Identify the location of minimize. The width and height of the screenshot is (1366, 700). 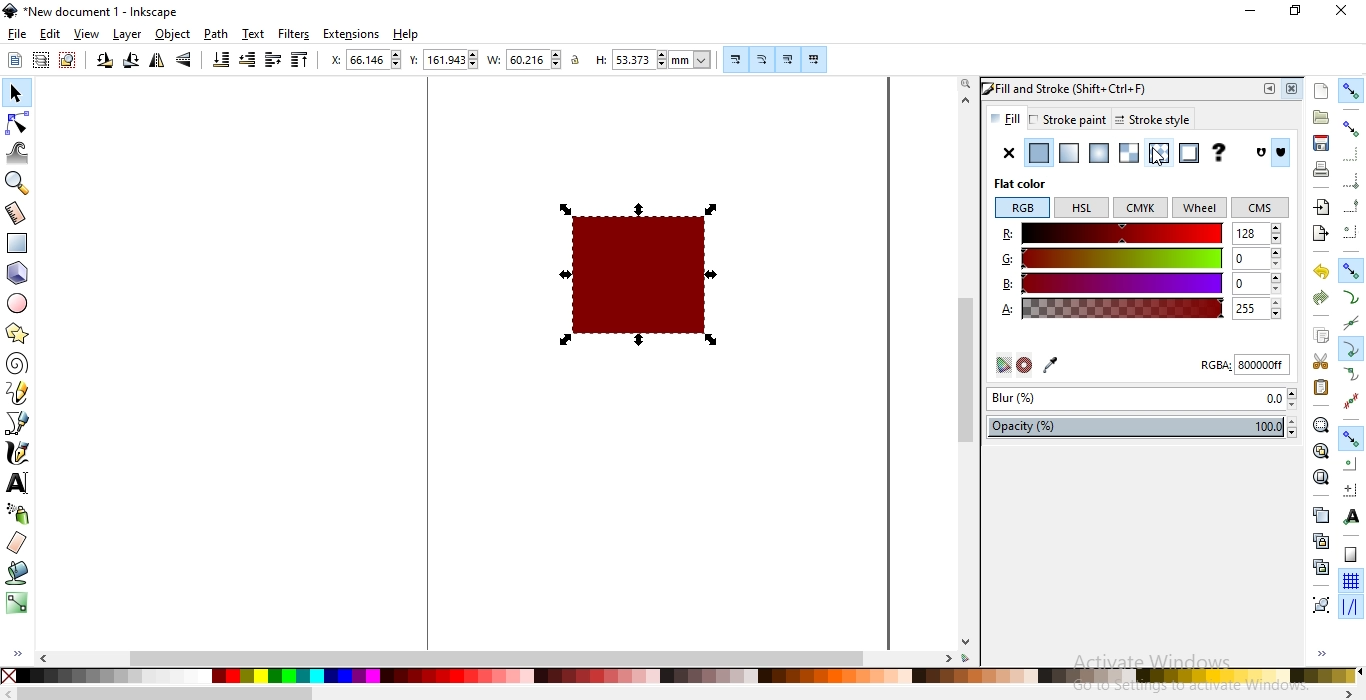
(1252, 12).